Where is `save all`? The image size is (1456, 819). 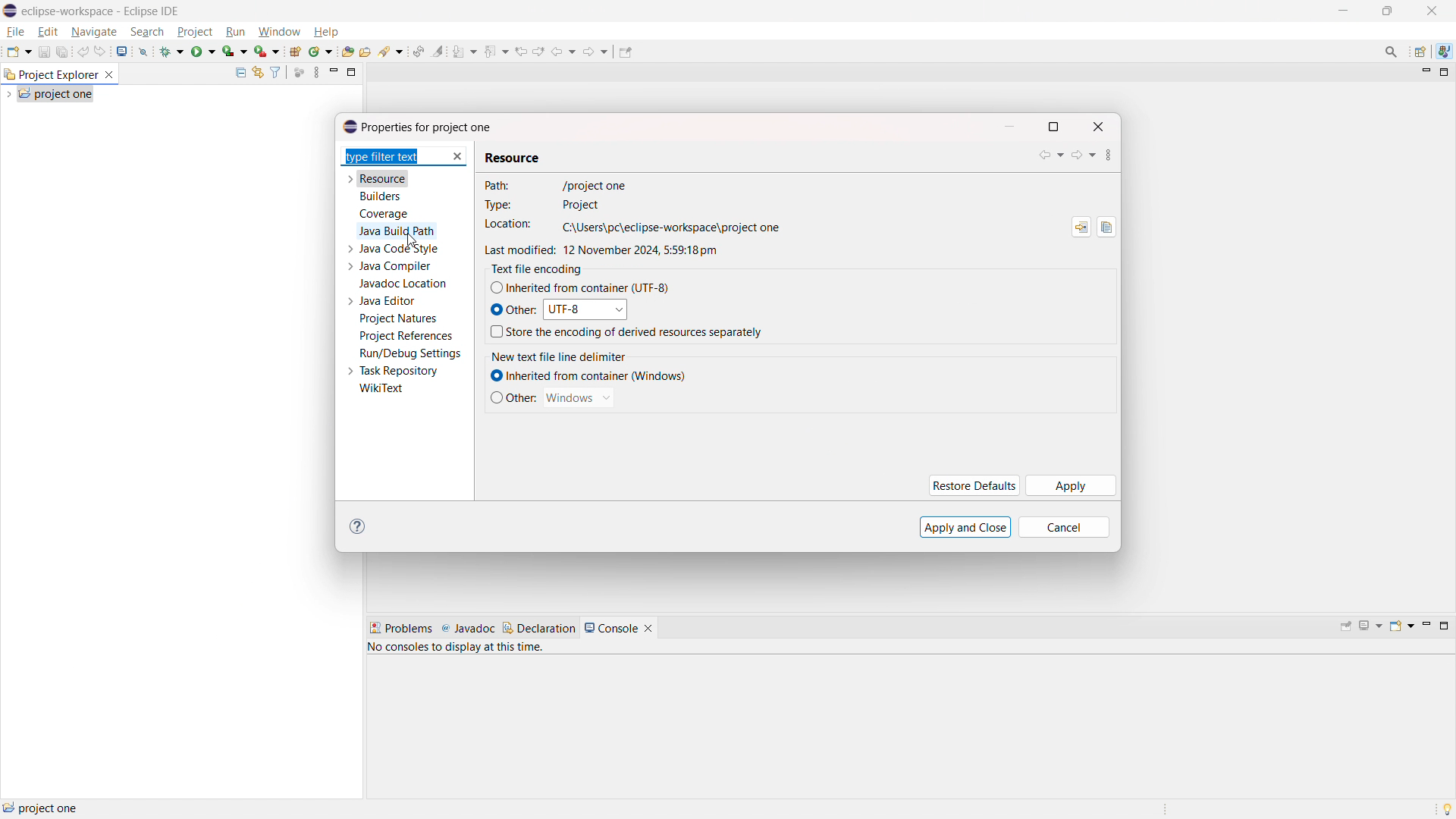
save all is located at coordinates (63, 52).